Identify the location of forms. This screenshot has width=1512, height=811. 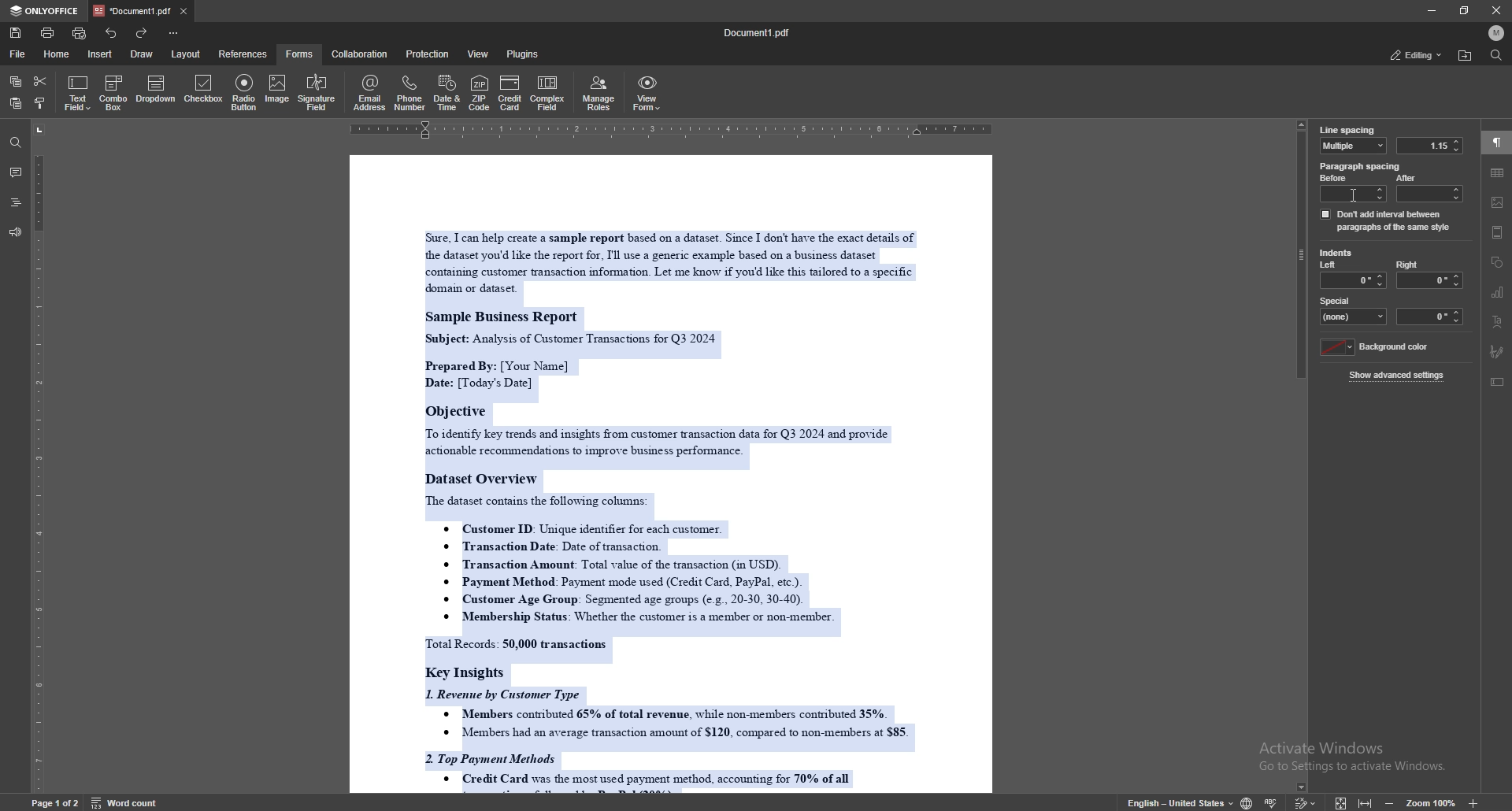
(301, 54).